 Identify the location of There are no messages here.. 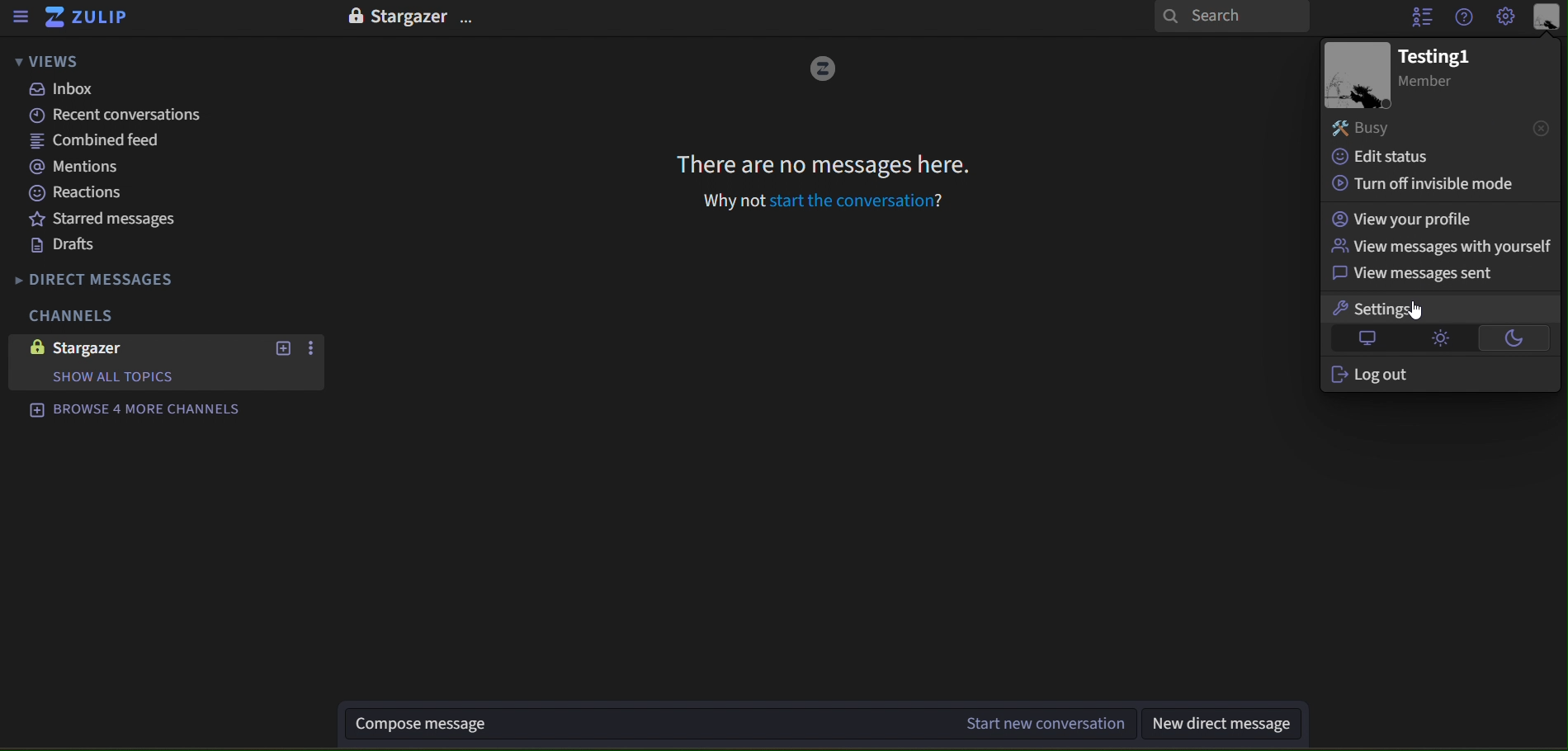
(820, 166).